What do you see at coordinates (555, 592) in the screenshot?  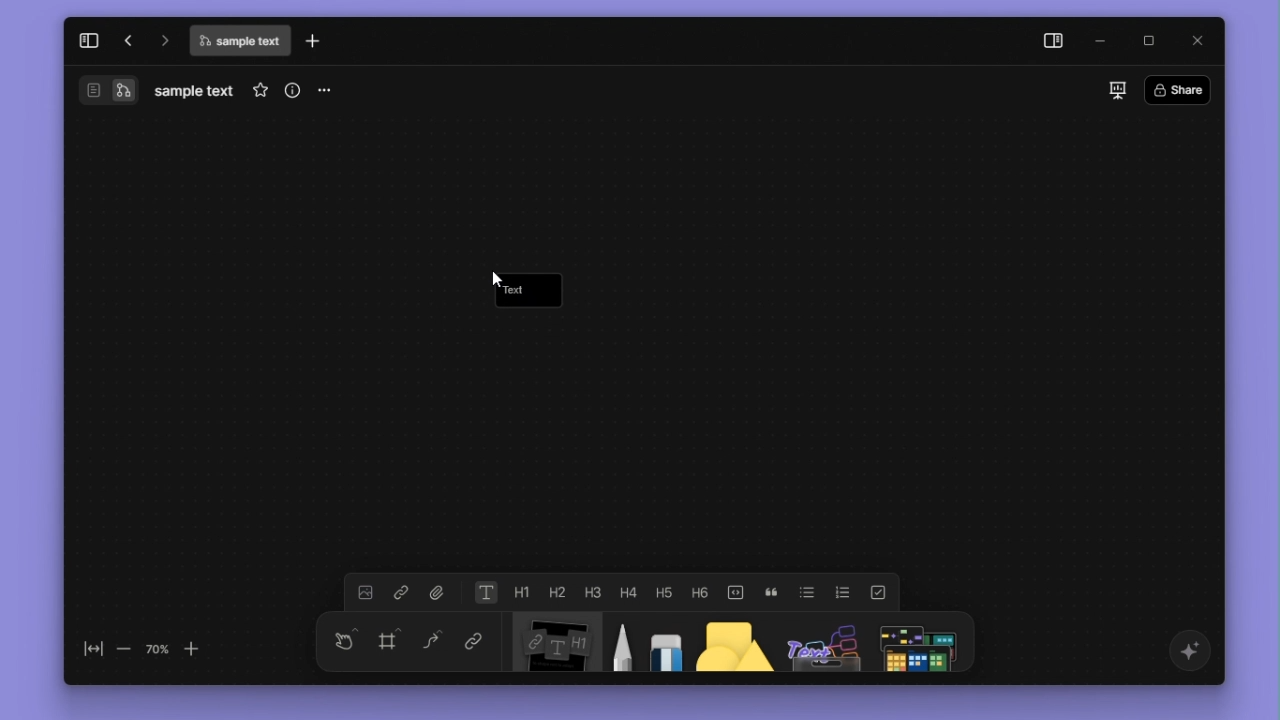 I see `heading 2` at bounding box center [555, 592].